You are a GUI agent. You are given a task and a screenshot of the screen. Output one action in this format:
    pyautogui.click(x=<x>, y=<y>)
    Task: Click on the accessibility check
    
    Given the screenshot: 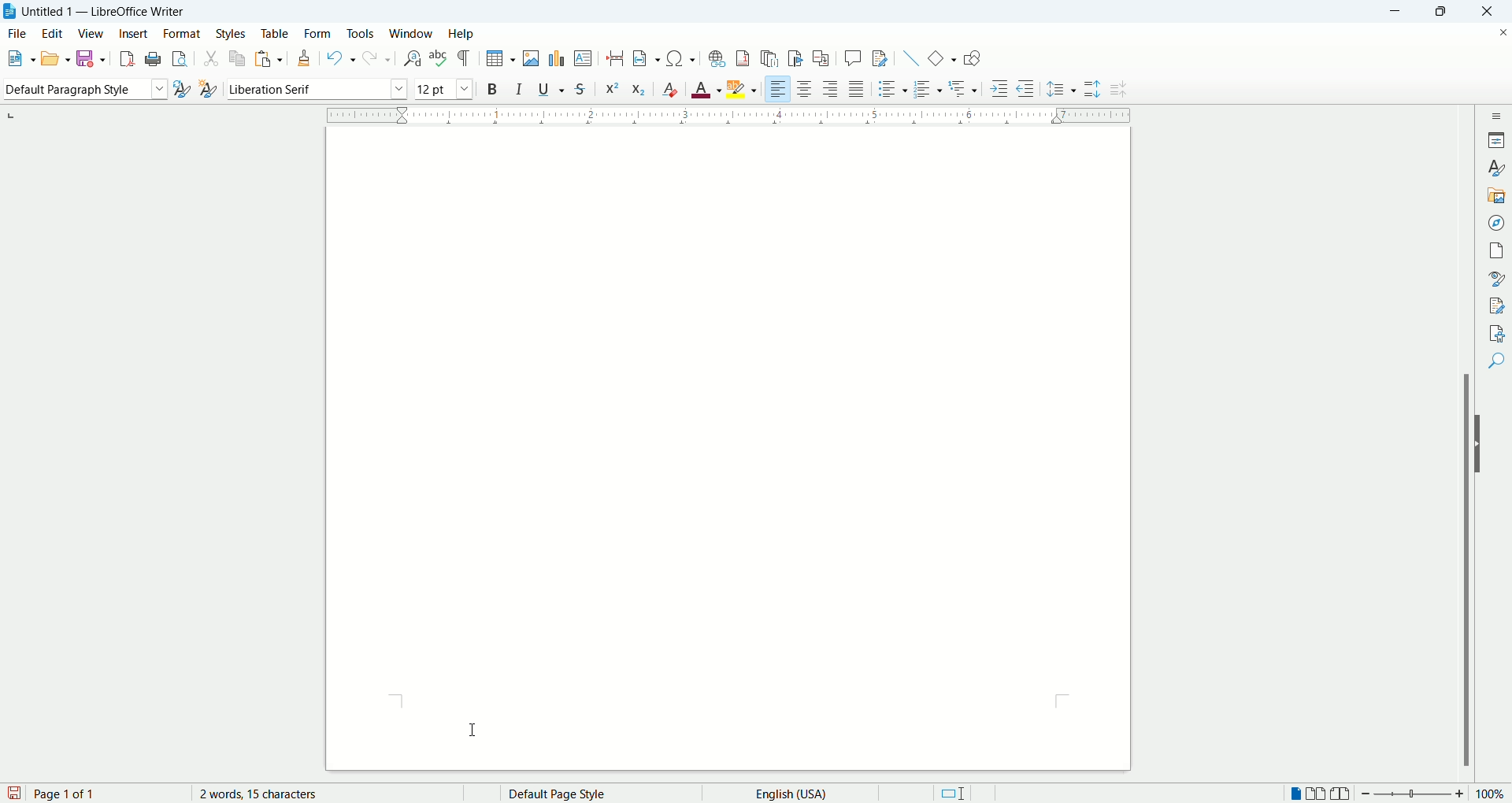 What is the action you would take?
    pyautogui.click(x=1497, y=332)
    